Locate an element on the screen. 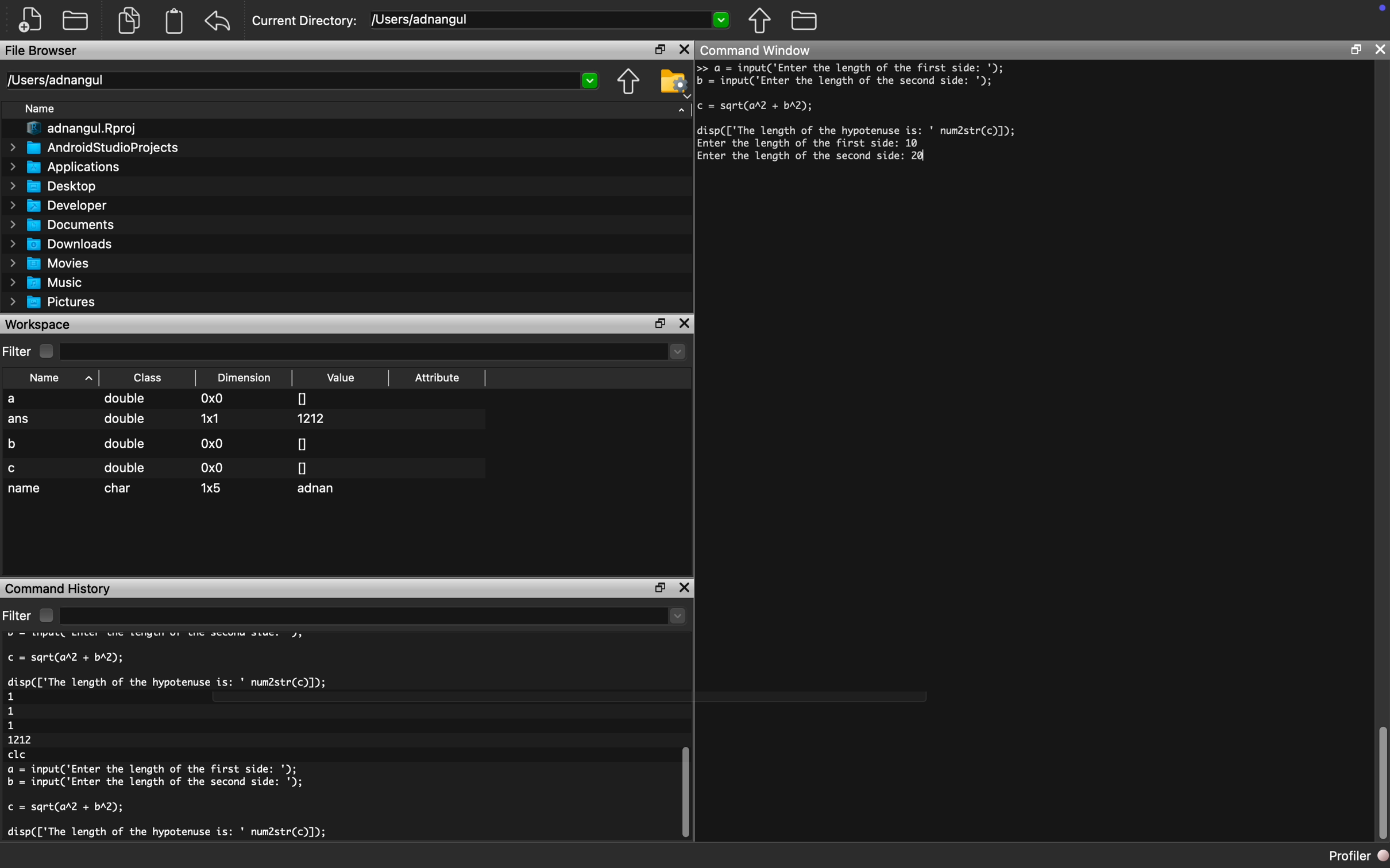 The image size is (1390, 868). restore down is located at coordinates (655, 51).